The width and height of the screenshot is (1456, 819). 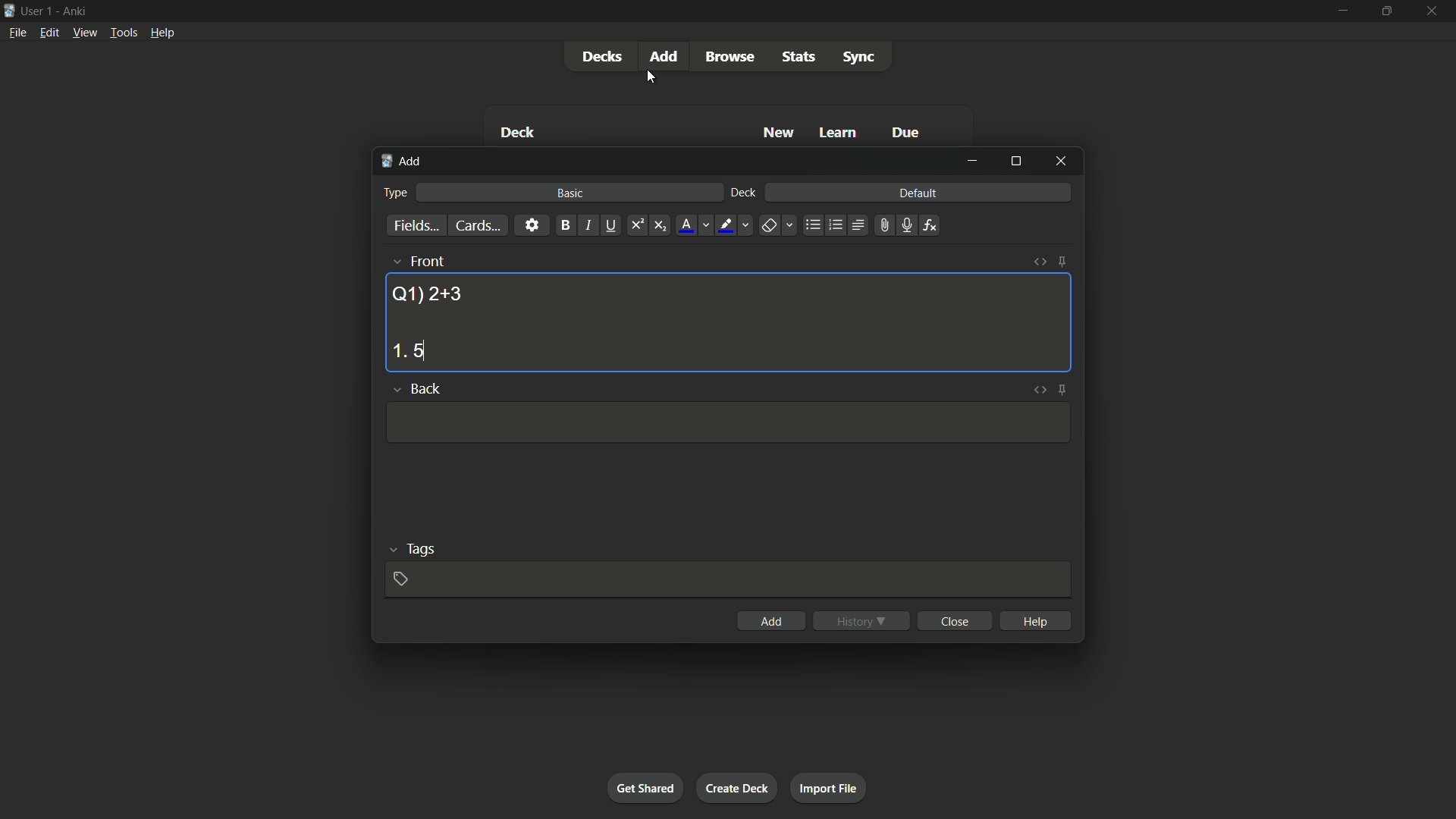 What do you see at coordinates (50, 32) in the screenshot?
I see `edit menu` at bounding box center [50, 32].